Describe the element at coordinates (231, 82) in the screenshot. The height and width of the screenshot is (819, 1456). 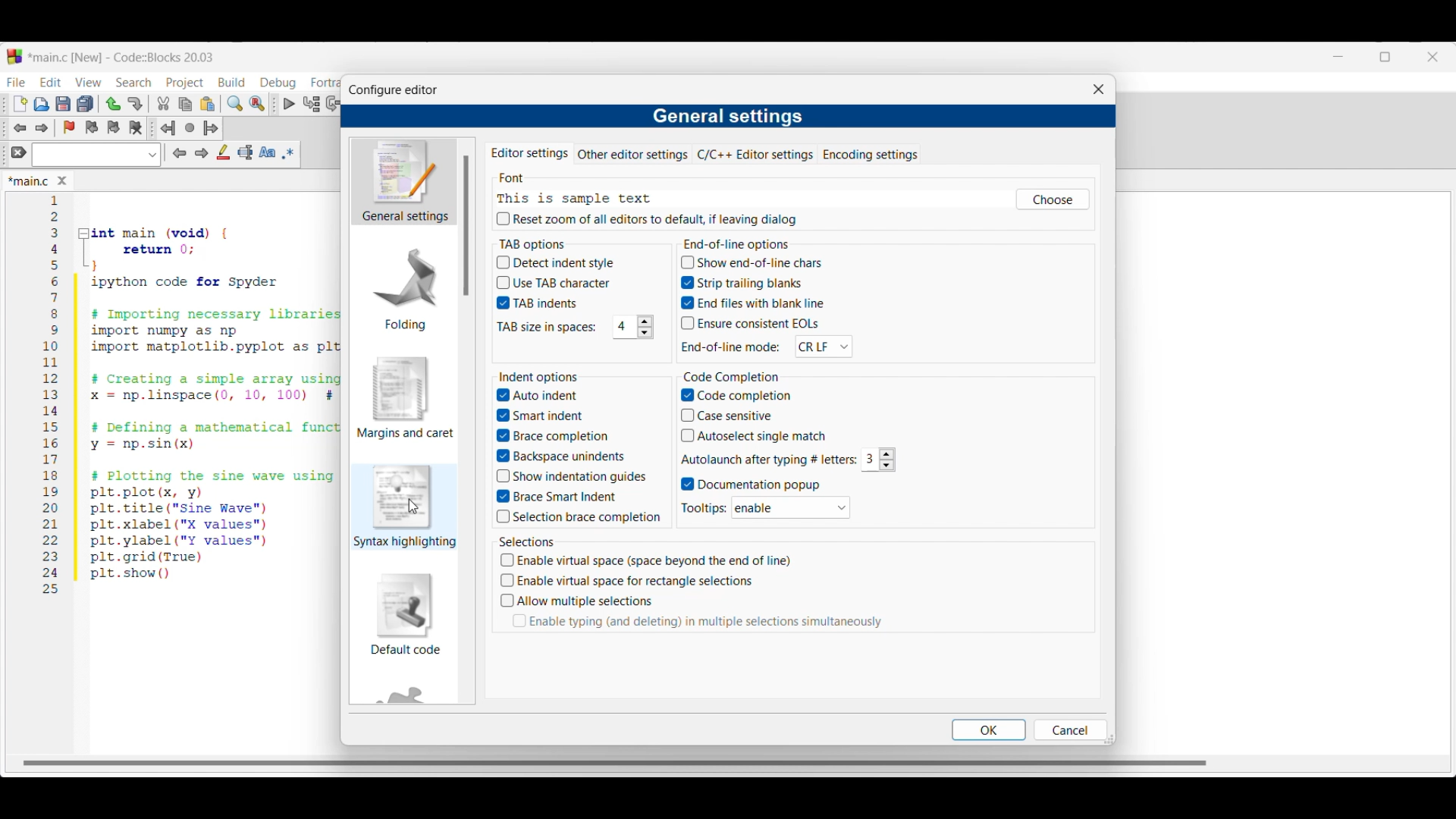
I see `Build menu` at that location.